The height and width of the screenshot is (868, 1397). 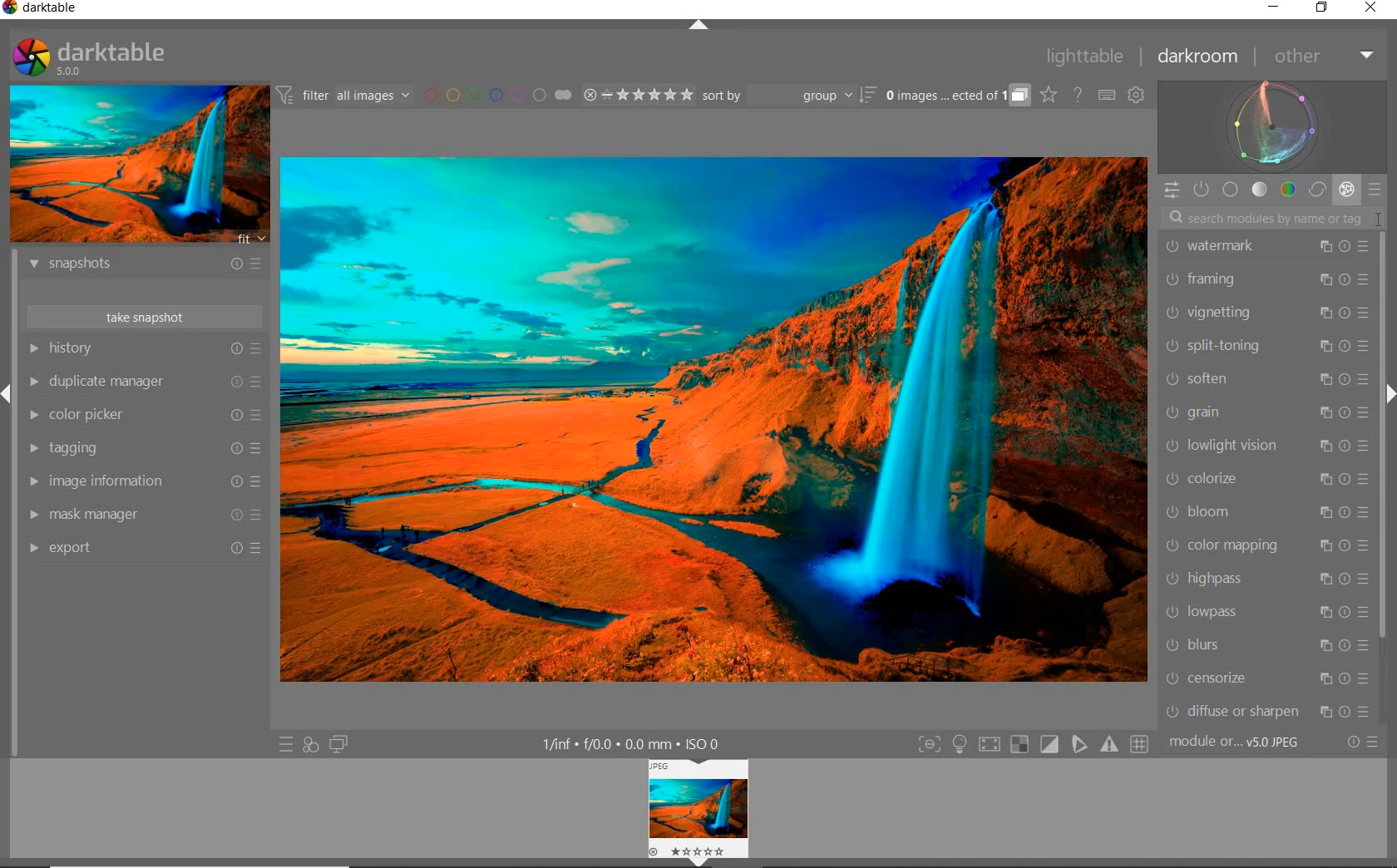 I want to click on DISPLAYED GUI INFO, so click(x=635, y=743).